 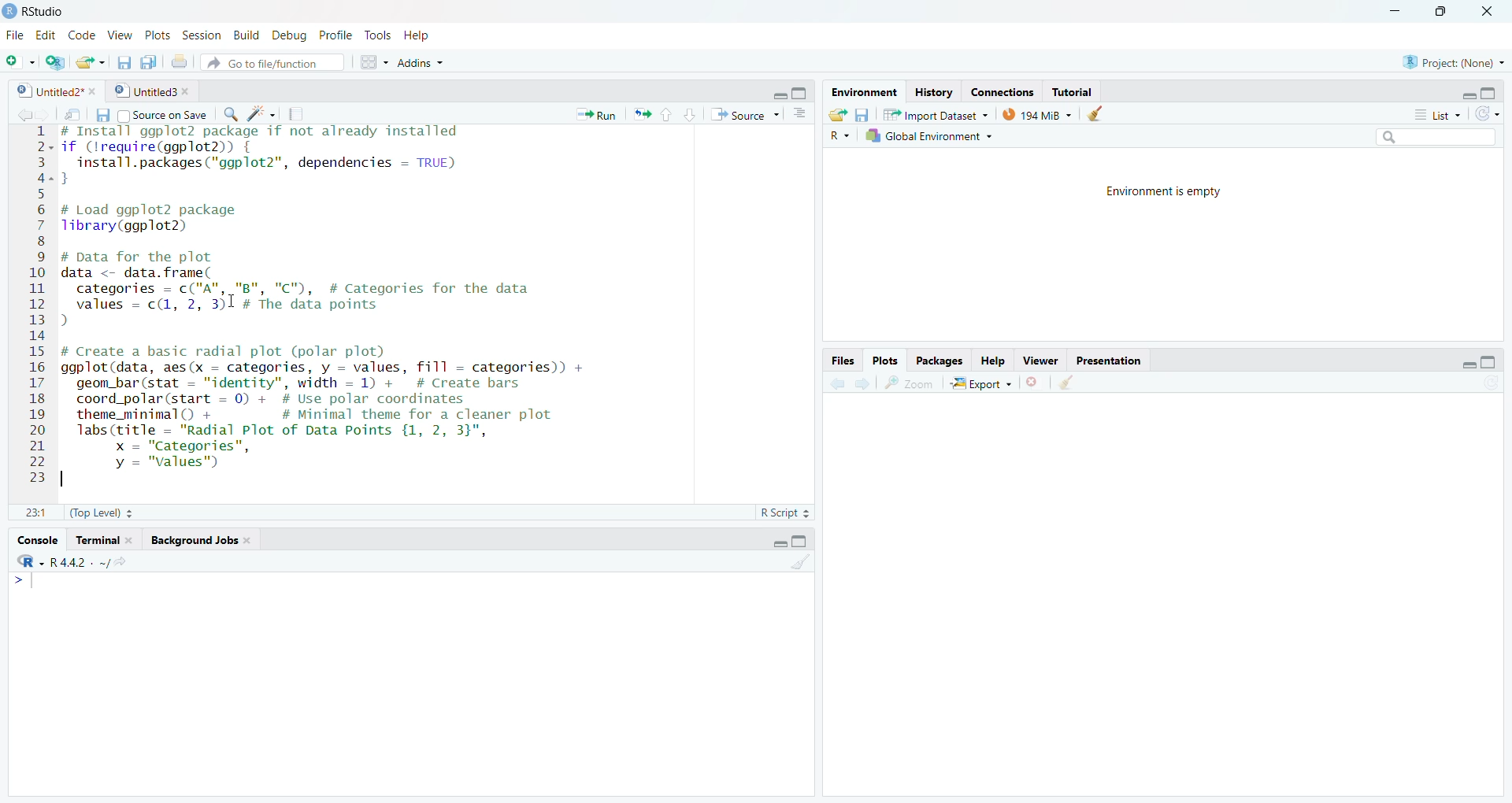 What do you see at coordinates (44, 37) in the screenshot?
I see `Edit` at bounding box center [44, 37].